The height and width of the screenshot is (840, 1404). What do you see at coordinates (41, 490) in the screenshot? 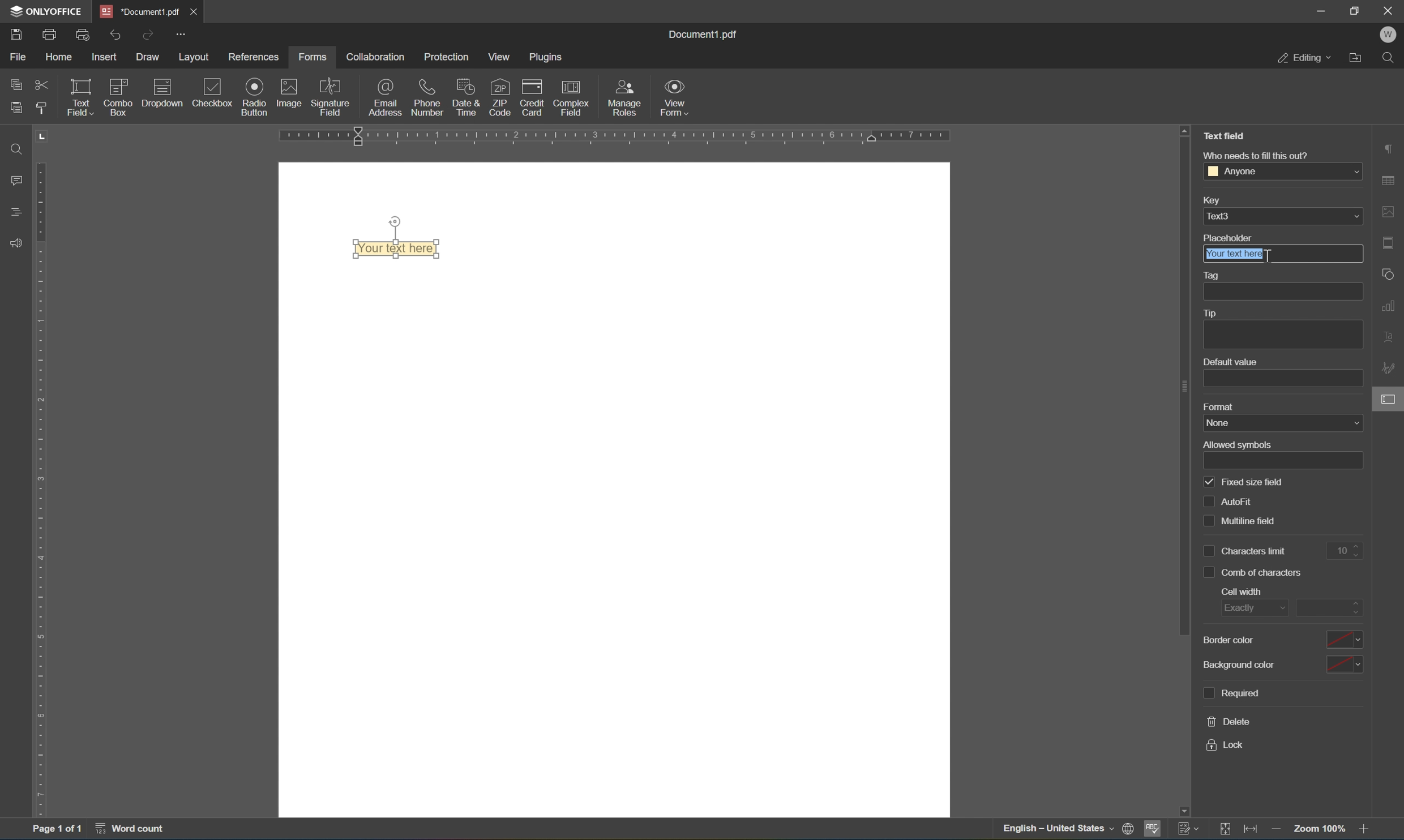
I see `ruler` at bounding box center [41, 490].